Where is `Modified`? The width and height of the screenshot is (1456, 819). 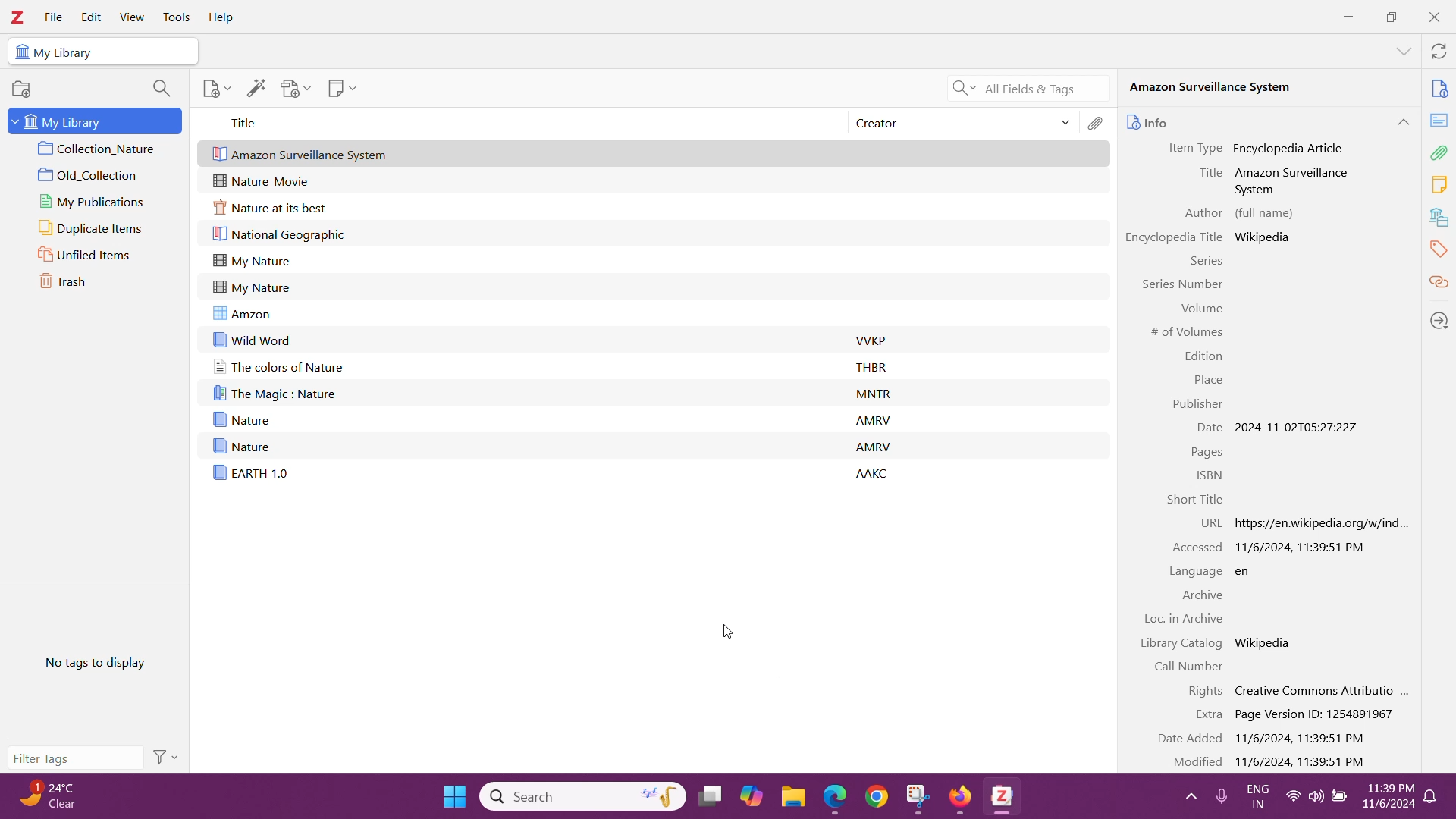 Modified is located at coordinates (1196, 762).